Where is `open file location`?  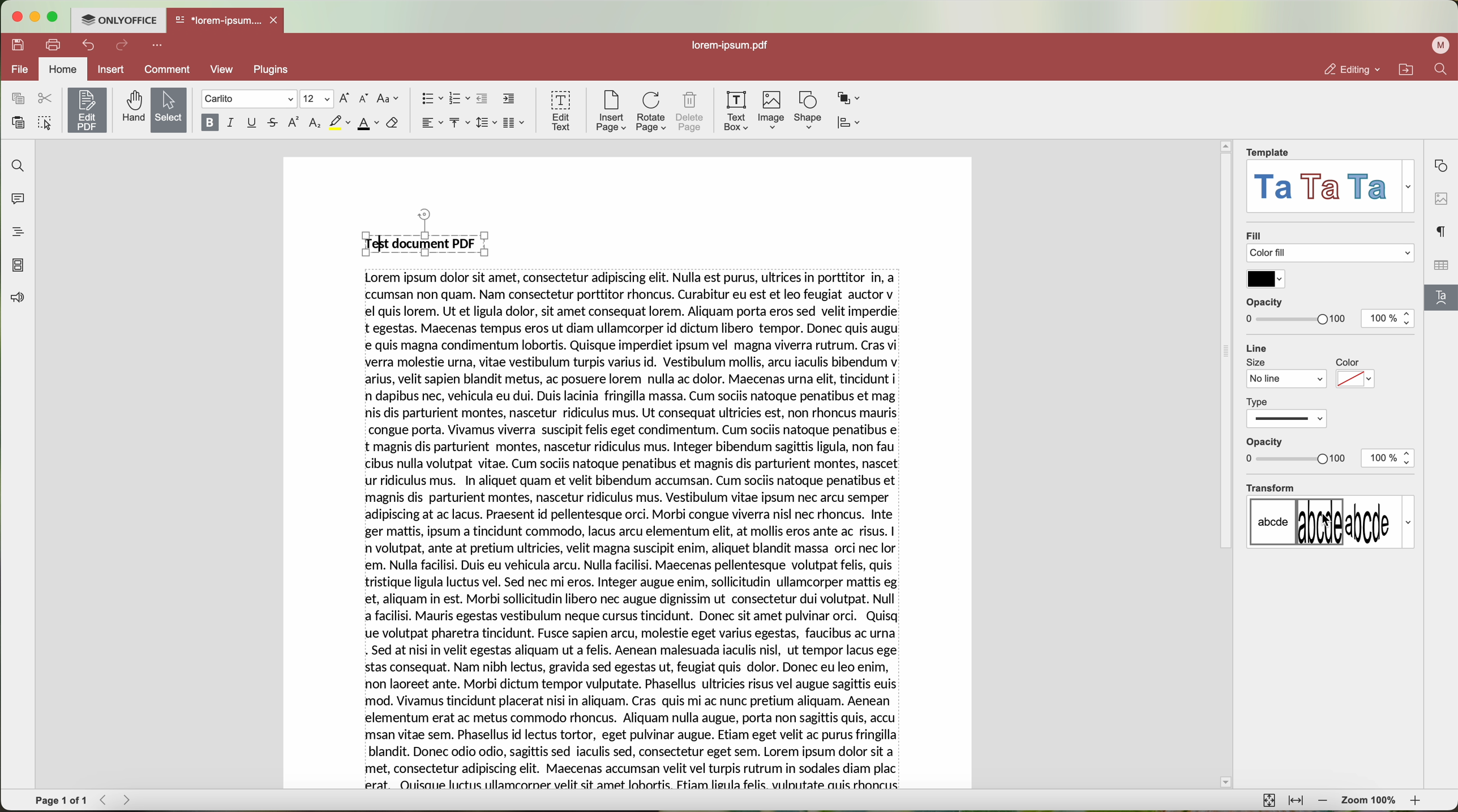 open file location is located at coordinates (1405, 69).